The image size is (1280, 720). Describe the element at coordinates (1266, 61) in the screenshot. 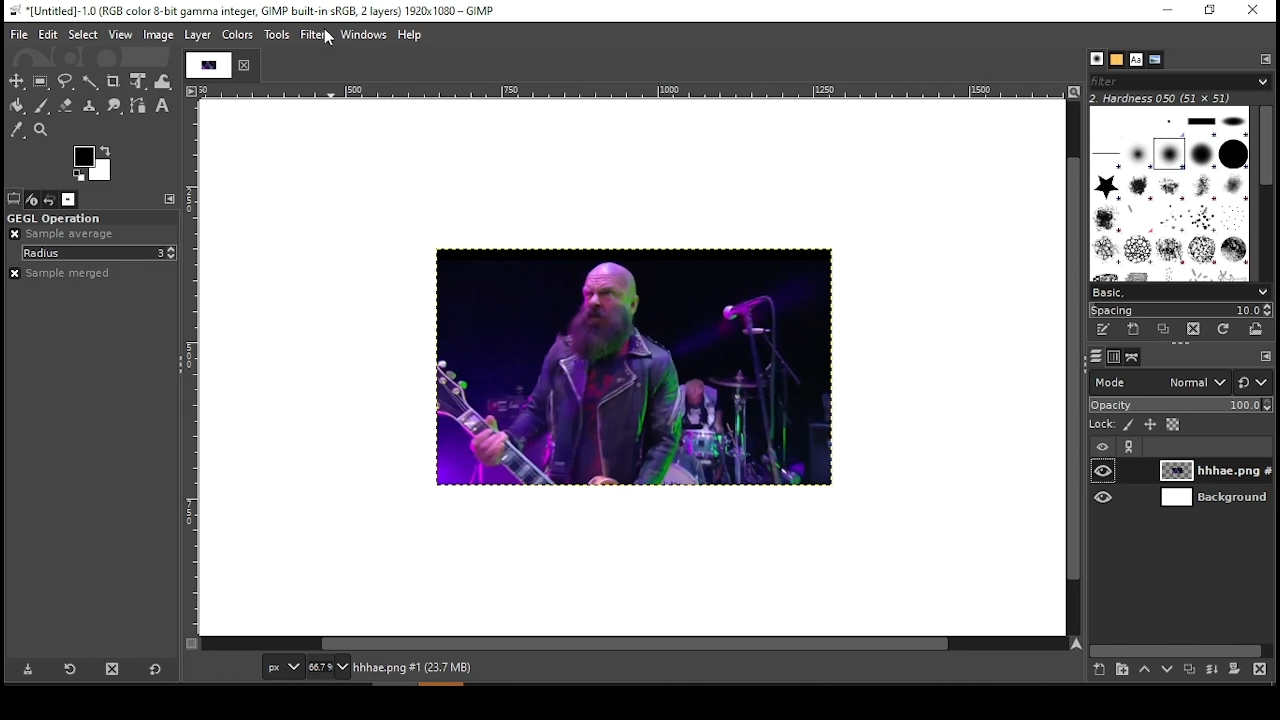

I see `configure this tab` at that location.